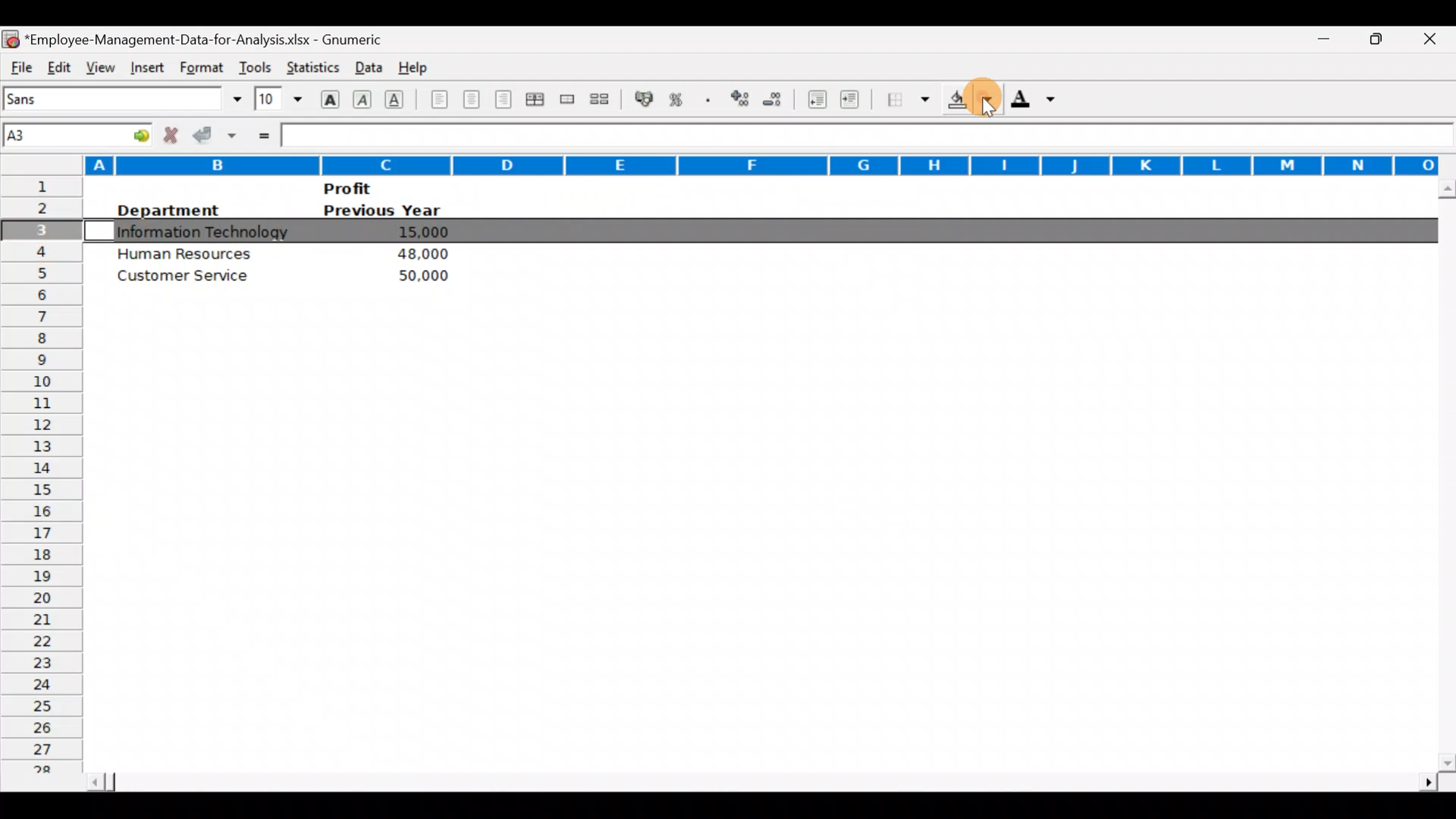 This screenshot has height=819, width=1456. Describe the element at coordinates (566, 101) in the screenshot. I see `Merge a range of cells` at that location.